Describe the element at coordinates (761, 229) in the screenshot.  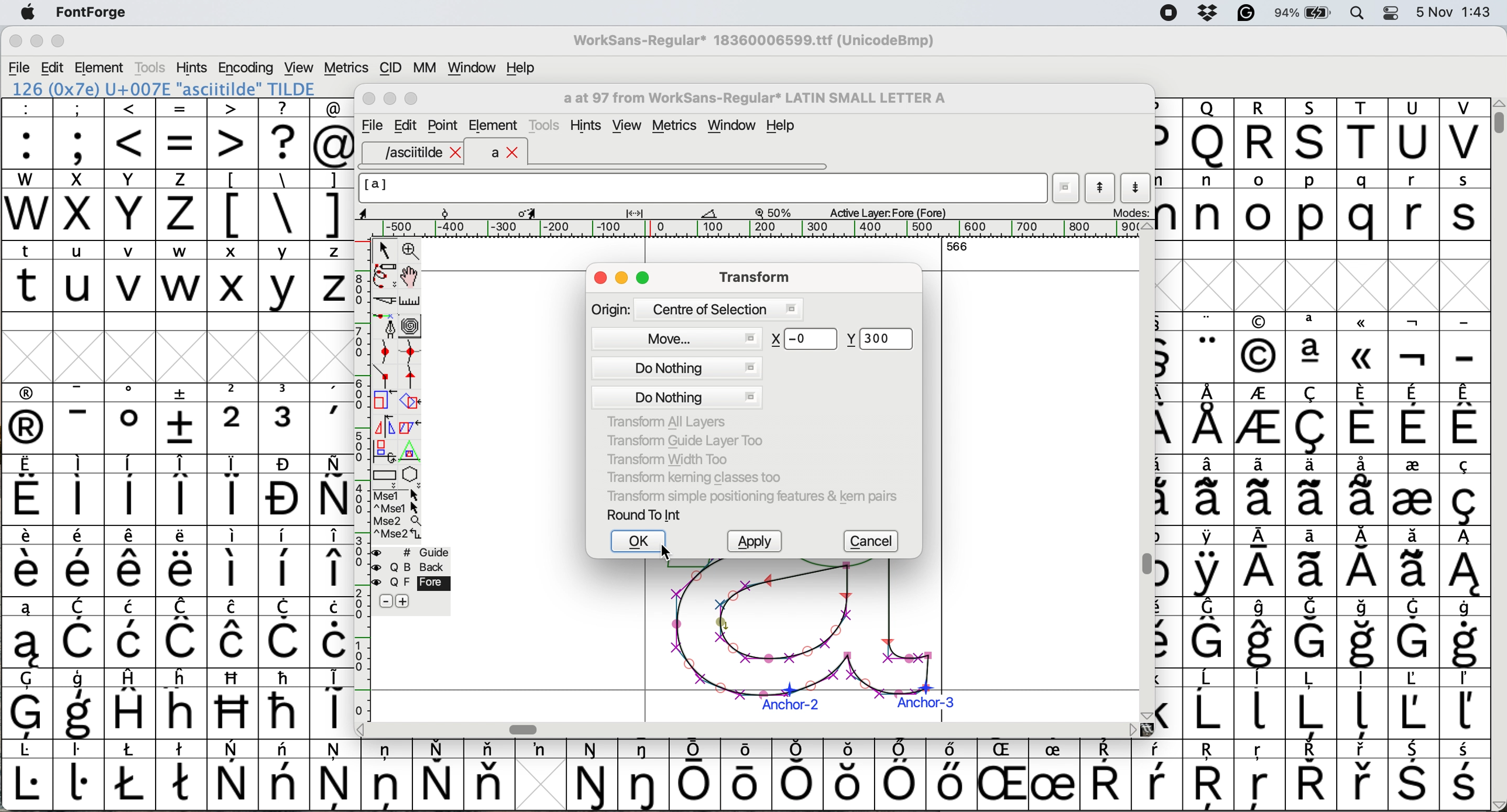
I see `horizontal scale` at that location.